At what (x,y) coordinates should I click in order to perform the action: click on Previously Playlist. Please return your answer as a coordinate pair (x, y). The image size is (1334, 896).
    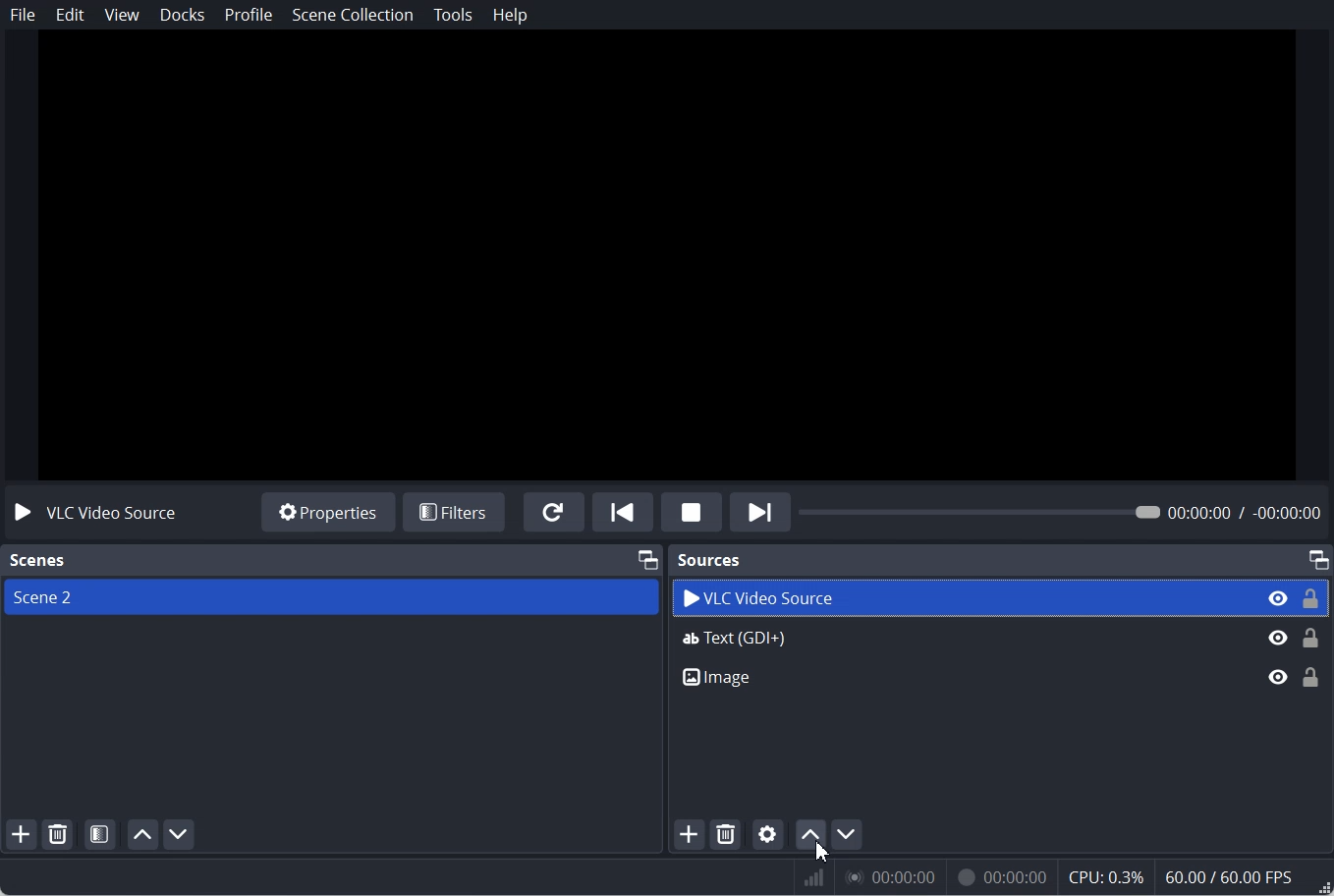
    Looking at the image, I should click on (623, 511).